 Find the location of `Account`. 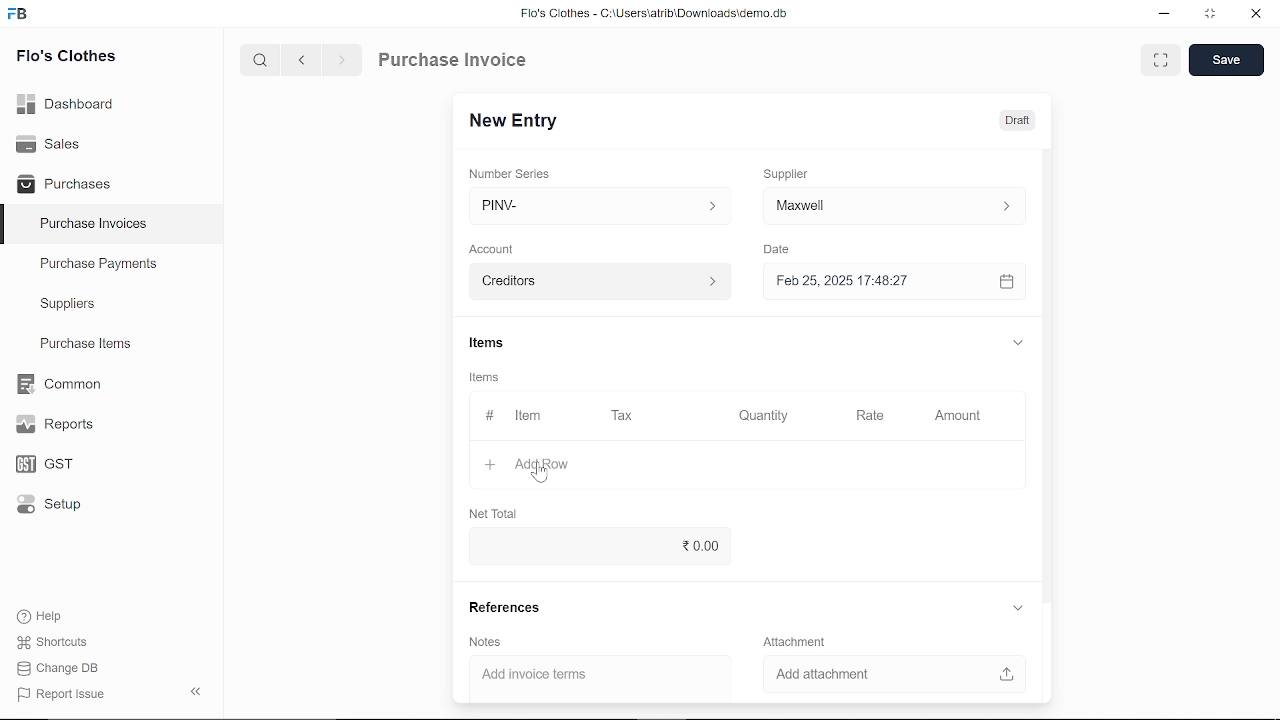

Account is located at coordinates (498, 247).